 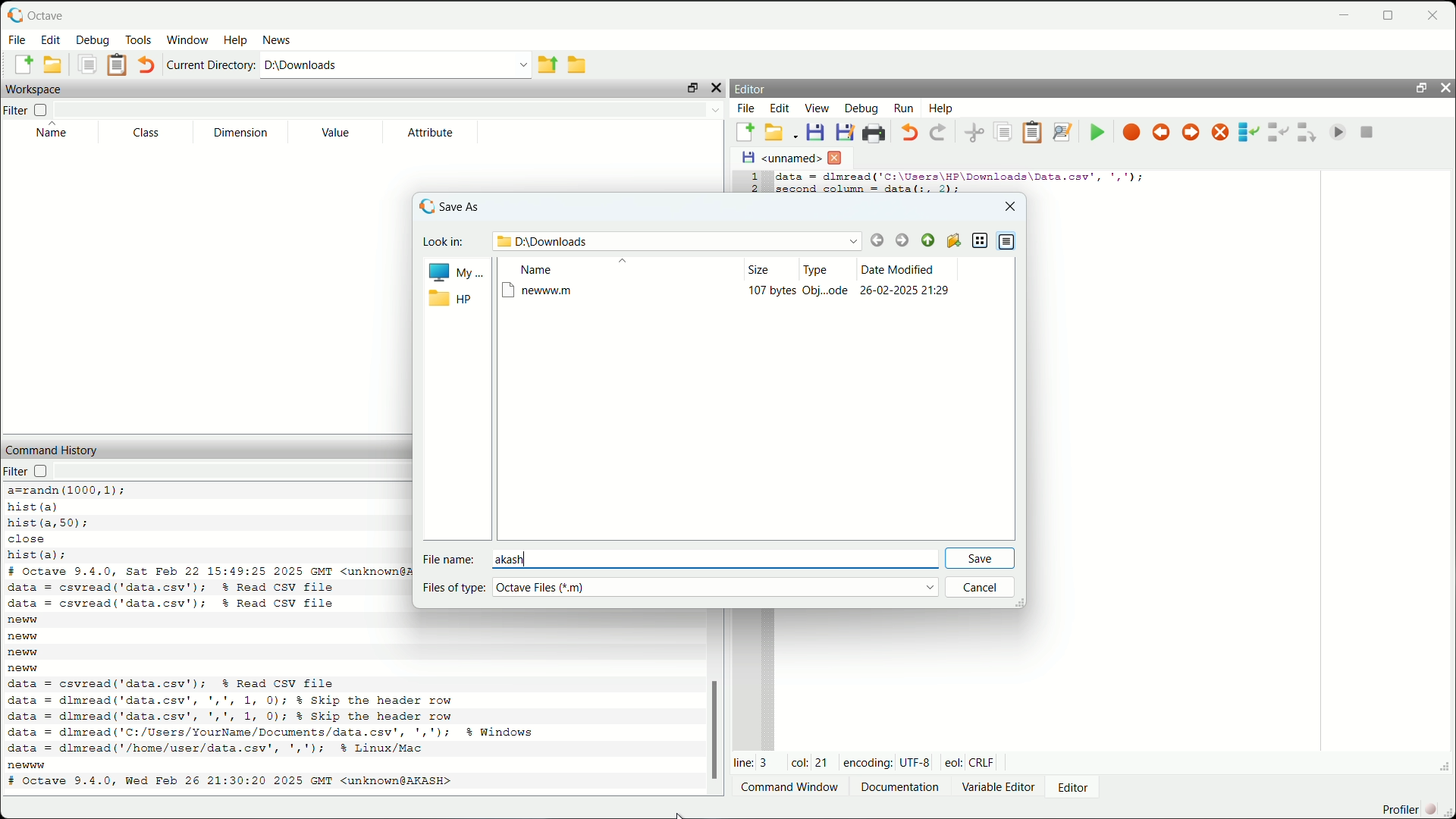 What do you see at coordinates (1159, 134) in the screenshot?
I see `previous breakpoint` at bounding box center [1159, 134].